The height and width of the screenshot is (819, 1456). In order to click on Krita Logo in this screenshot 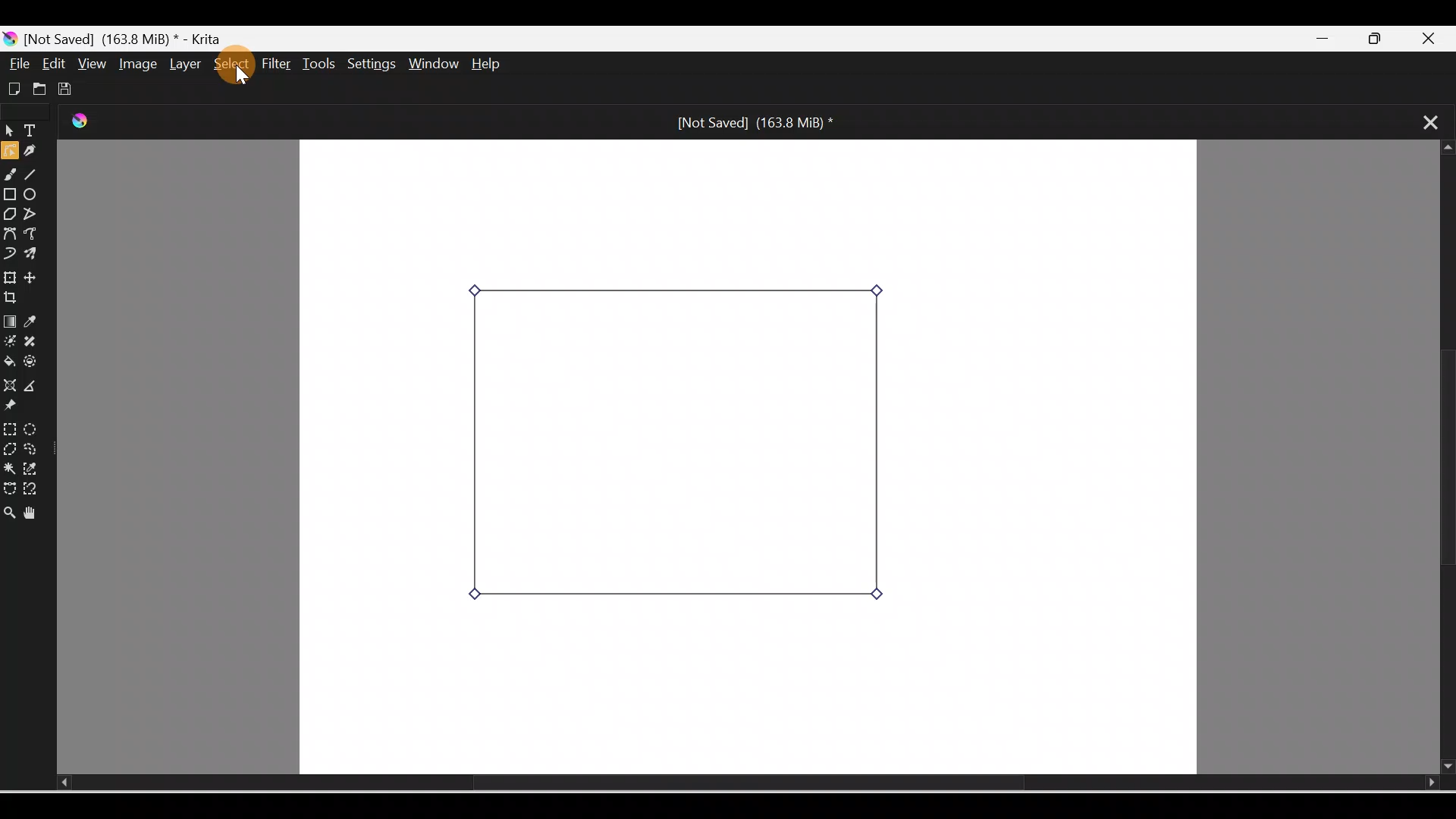, I will do `click(83, 122)`.